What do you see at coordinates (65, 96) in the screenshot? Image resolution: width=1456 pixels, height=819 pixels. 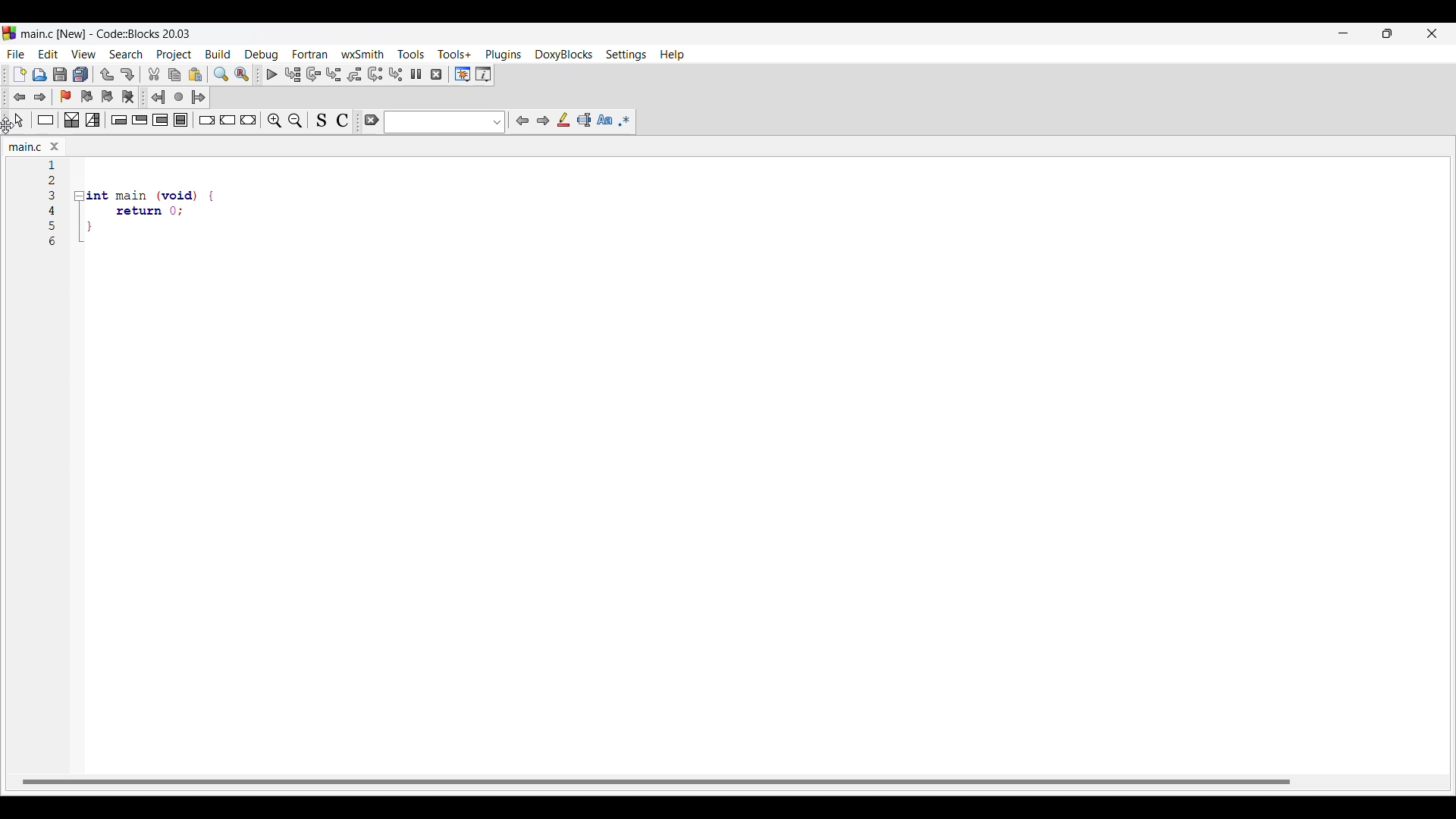 I see `Toggle bookmark` at bounding box center [65, 96].